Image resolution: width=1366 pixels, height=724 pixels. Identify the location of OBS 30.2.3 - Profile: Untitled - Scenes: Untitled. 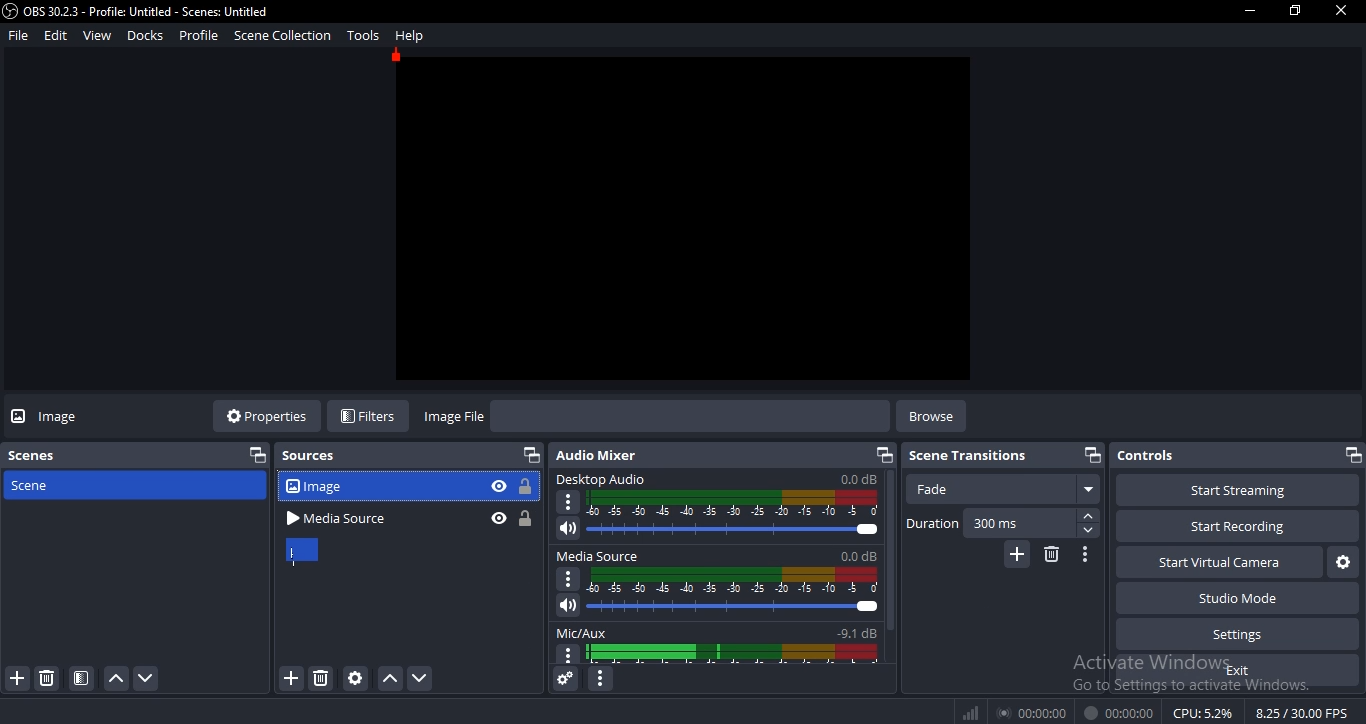
(136, 11).